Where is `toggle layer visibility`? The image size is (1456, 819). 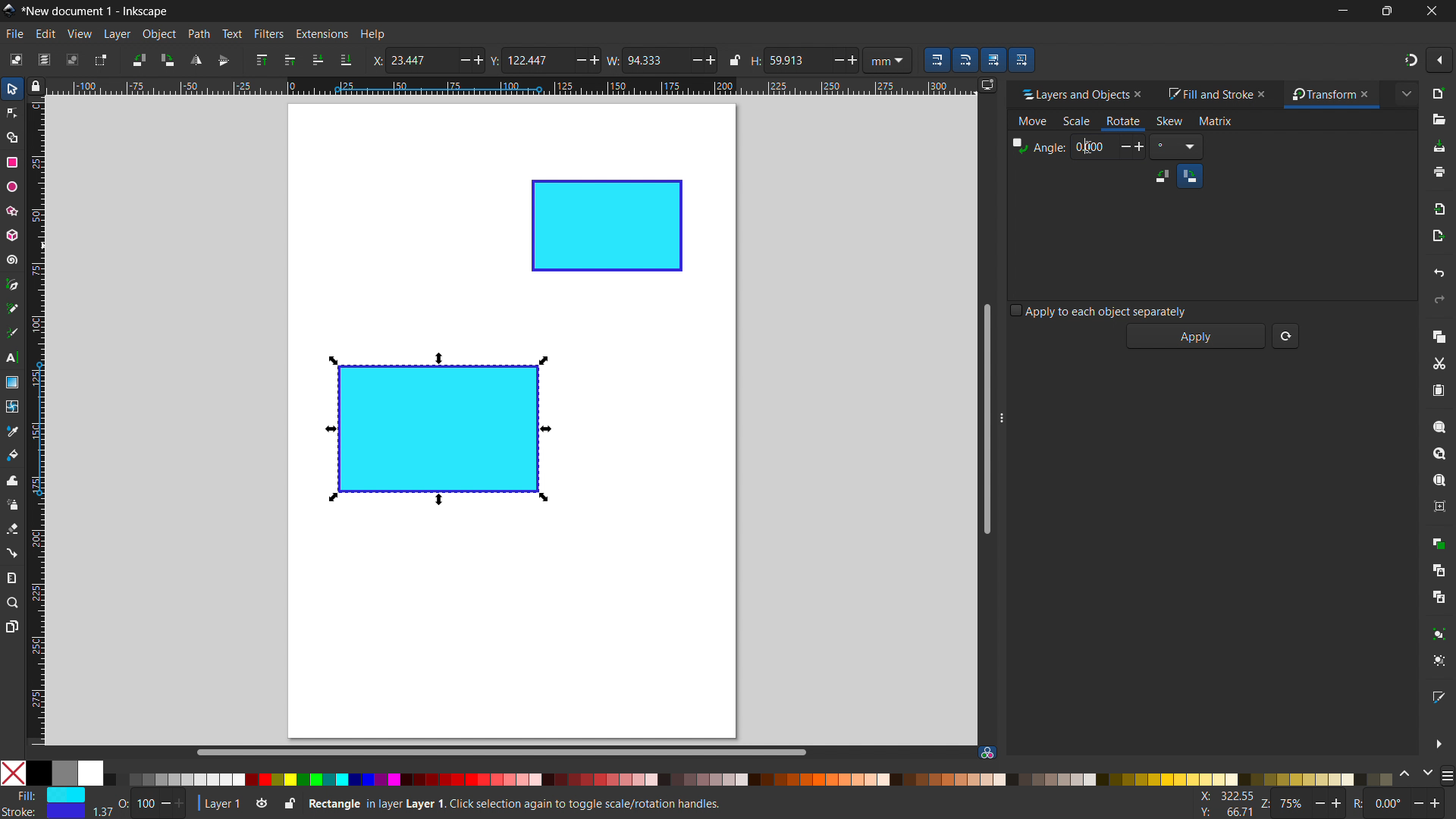
toggle layer visibility is located at coordinates (262, 805).